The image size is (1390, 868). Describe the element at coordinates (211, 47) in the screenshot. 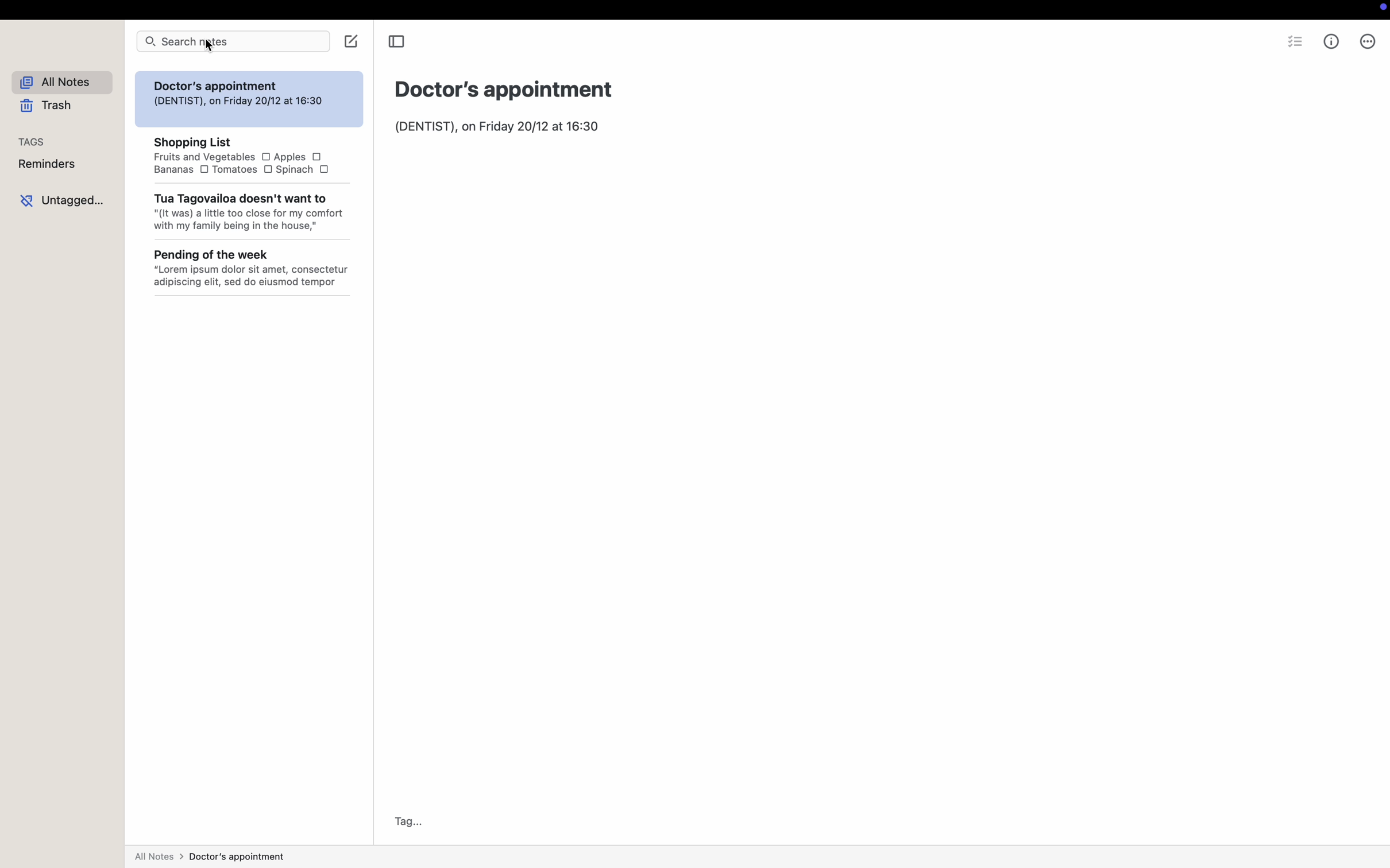

I see `cursor` at that location.